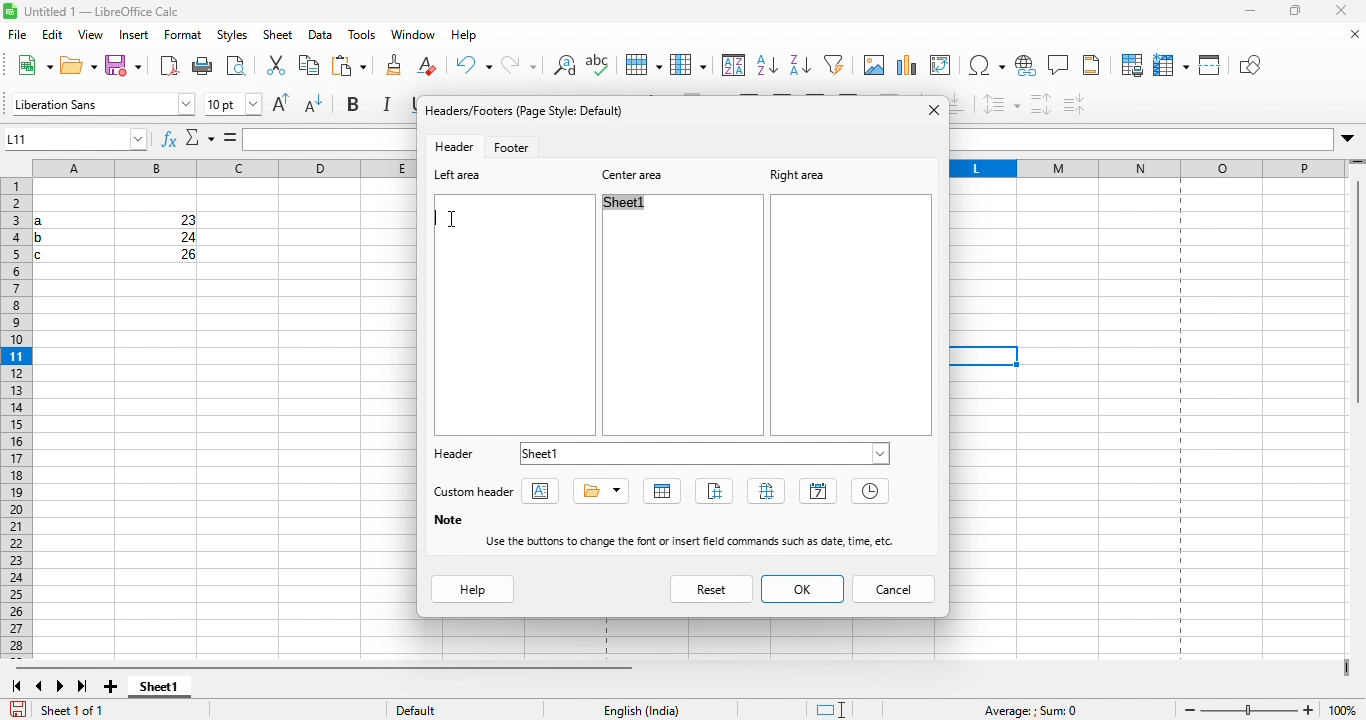 The width and height of the screenshot is (1366, 720). What do you see at coordinates (1126, 66) in the screenshot?
I see `print area` at bounding box center [1126, 66].